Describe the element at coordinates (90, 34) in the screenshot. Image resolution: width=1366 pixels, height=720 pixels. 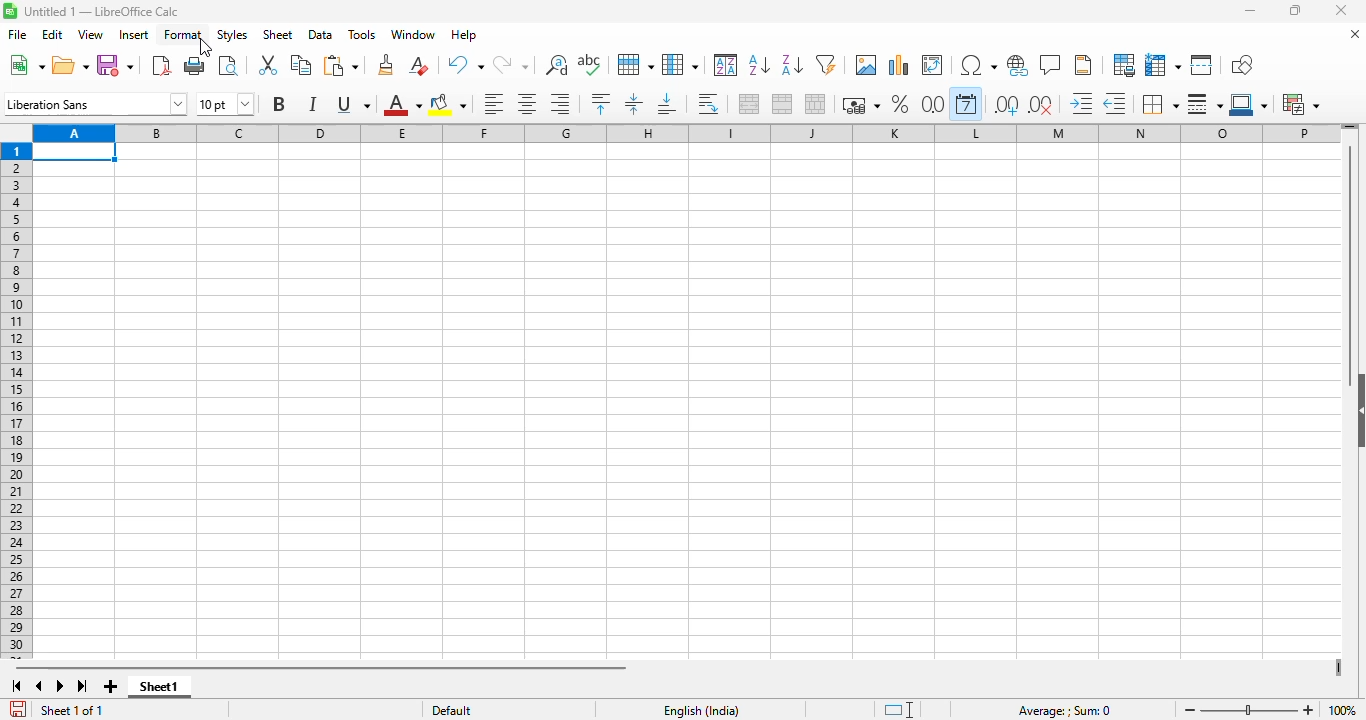
I see `view` at that location.